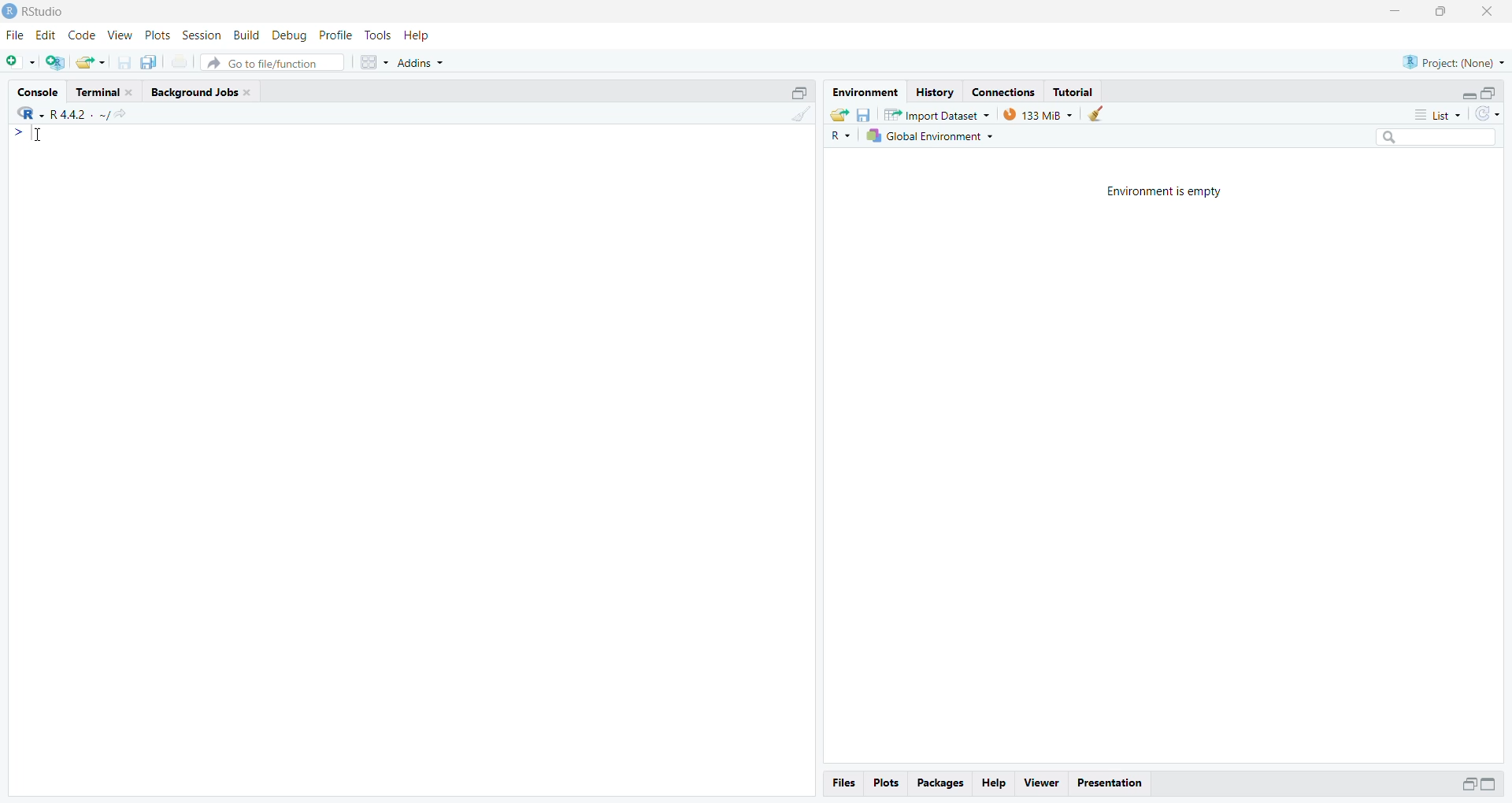 This screenshot has width=1512, height=803. What do you see at coordinates (123, 64) in the screenshot?
I see `Save current document(CTRL + S)` at bounding box center [123, 64].